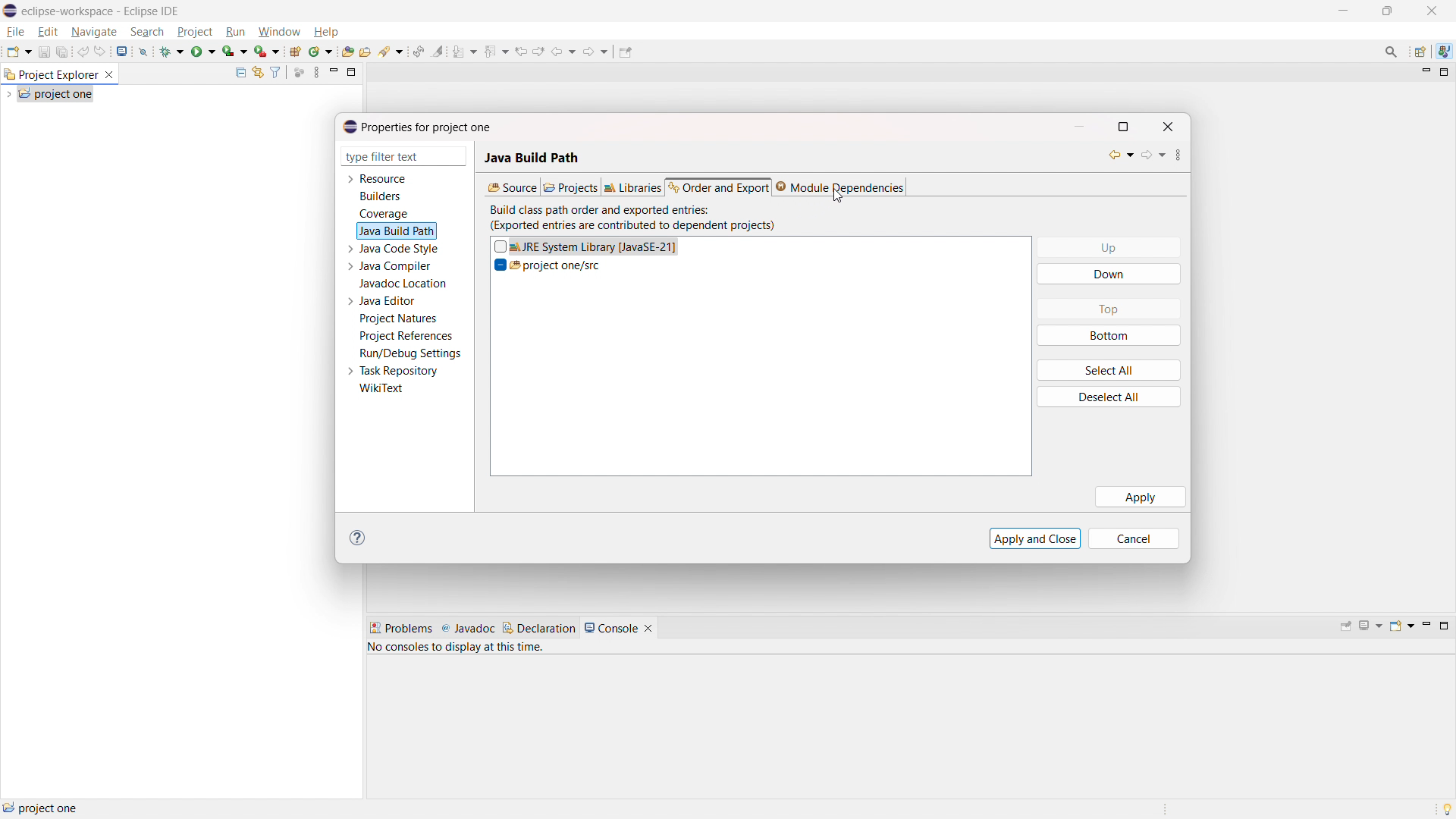 The height and width of the screenshot is (819, 1456). Describe the element at coordinates (400, 629) in the screenshot. I see `problems` at that location.